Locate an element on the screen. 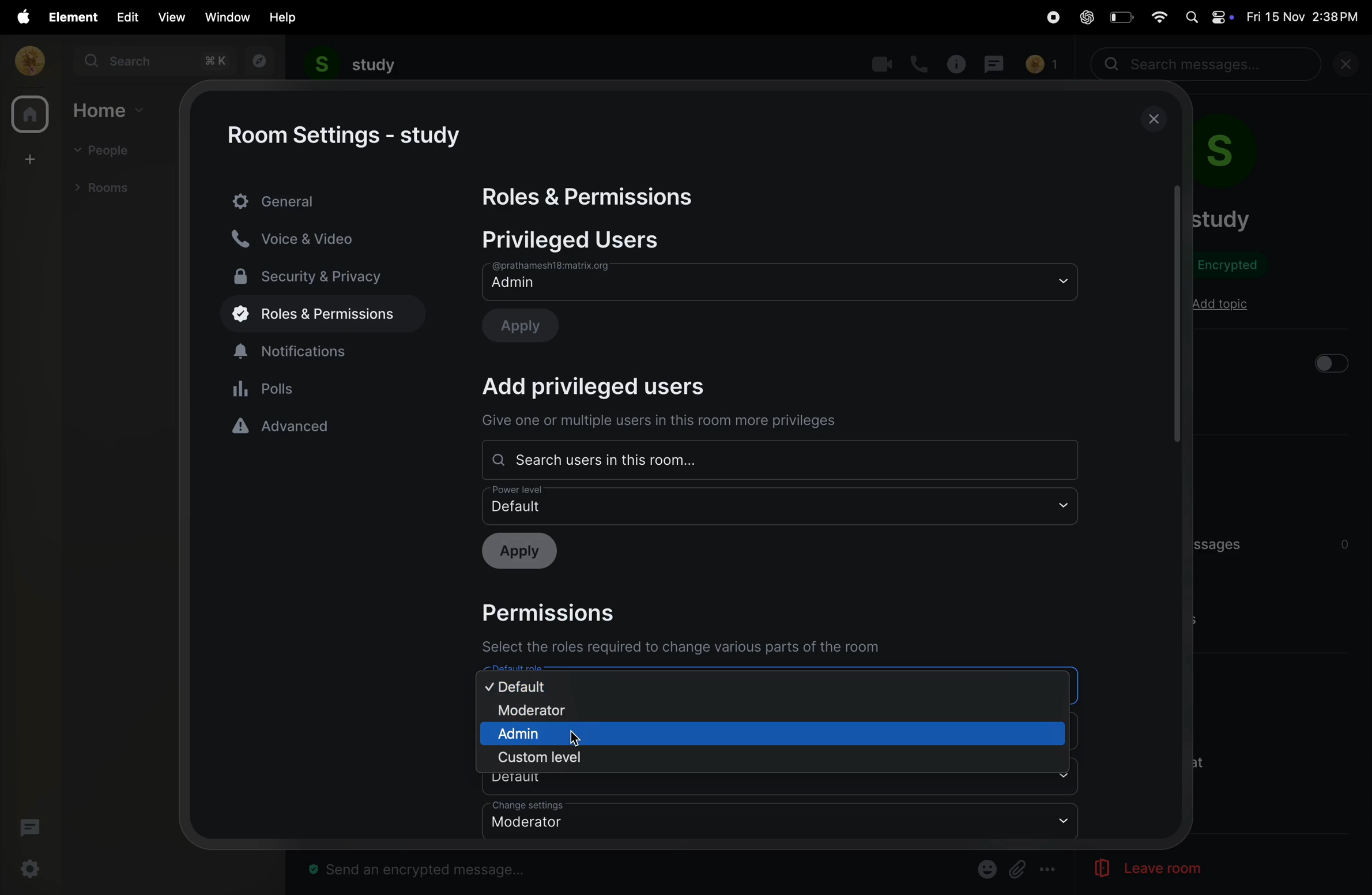  settings is located at coordinates (32, 869).